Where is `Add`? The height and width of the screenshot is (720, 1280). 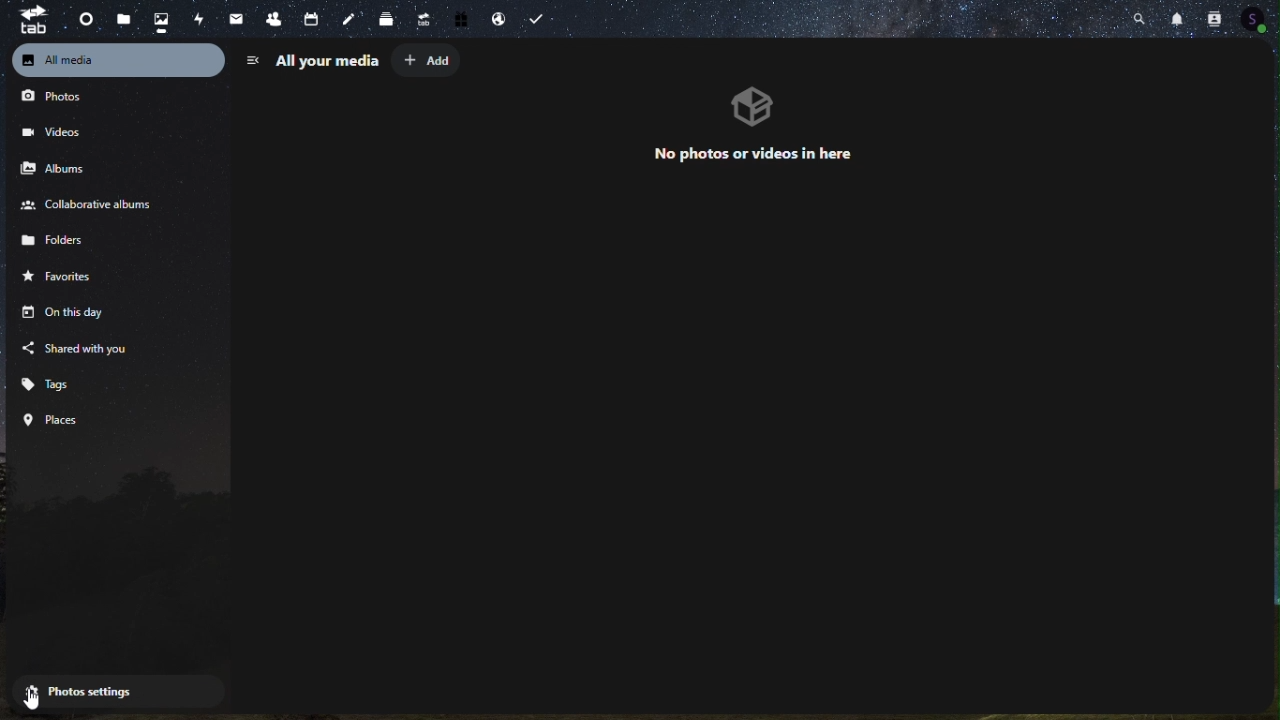 Add is located at coordinates (428, 62).